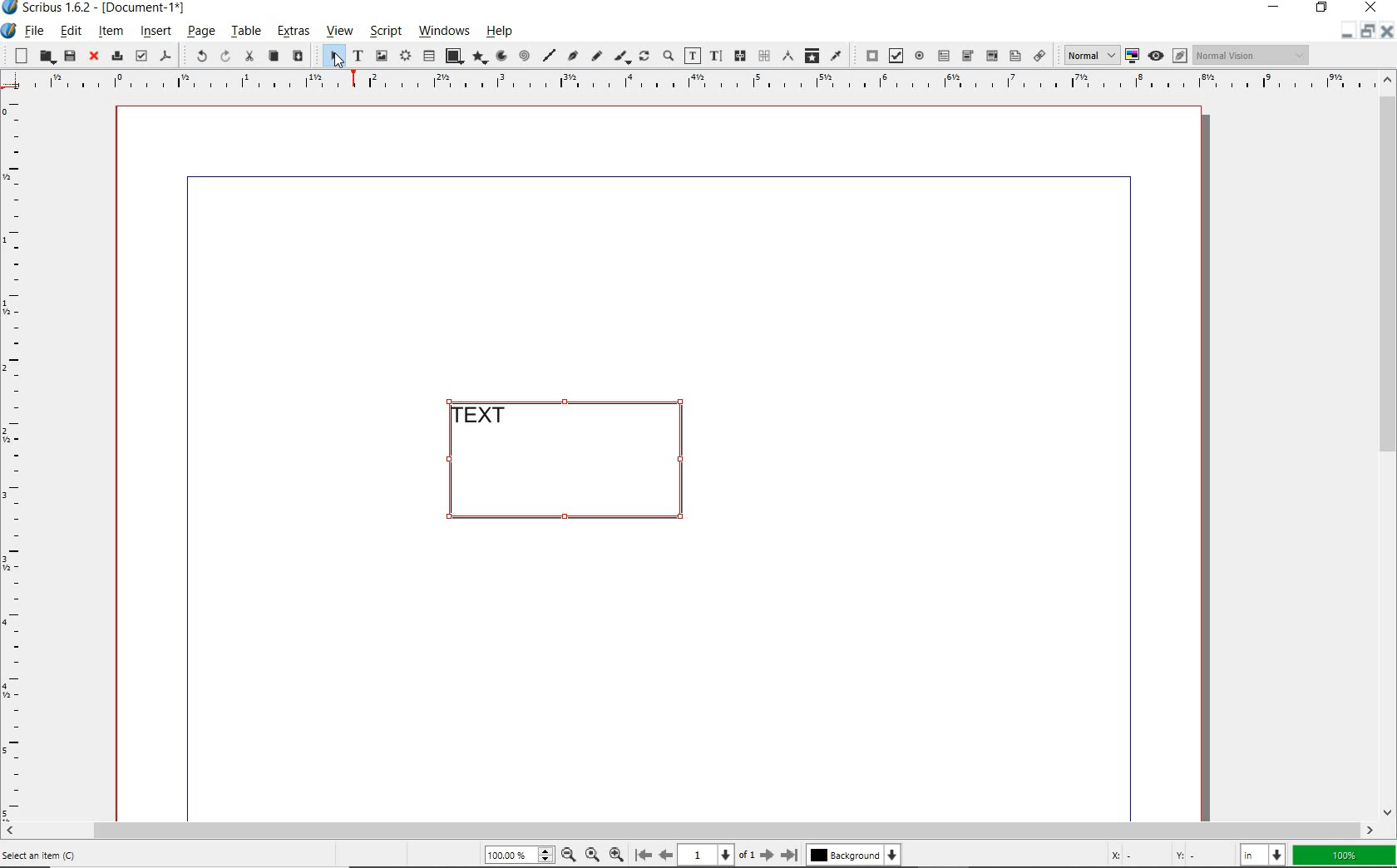 Image resolution: width=1397 pixels, height=868 pixels. I want to click on TEXT, so click(486, 416).